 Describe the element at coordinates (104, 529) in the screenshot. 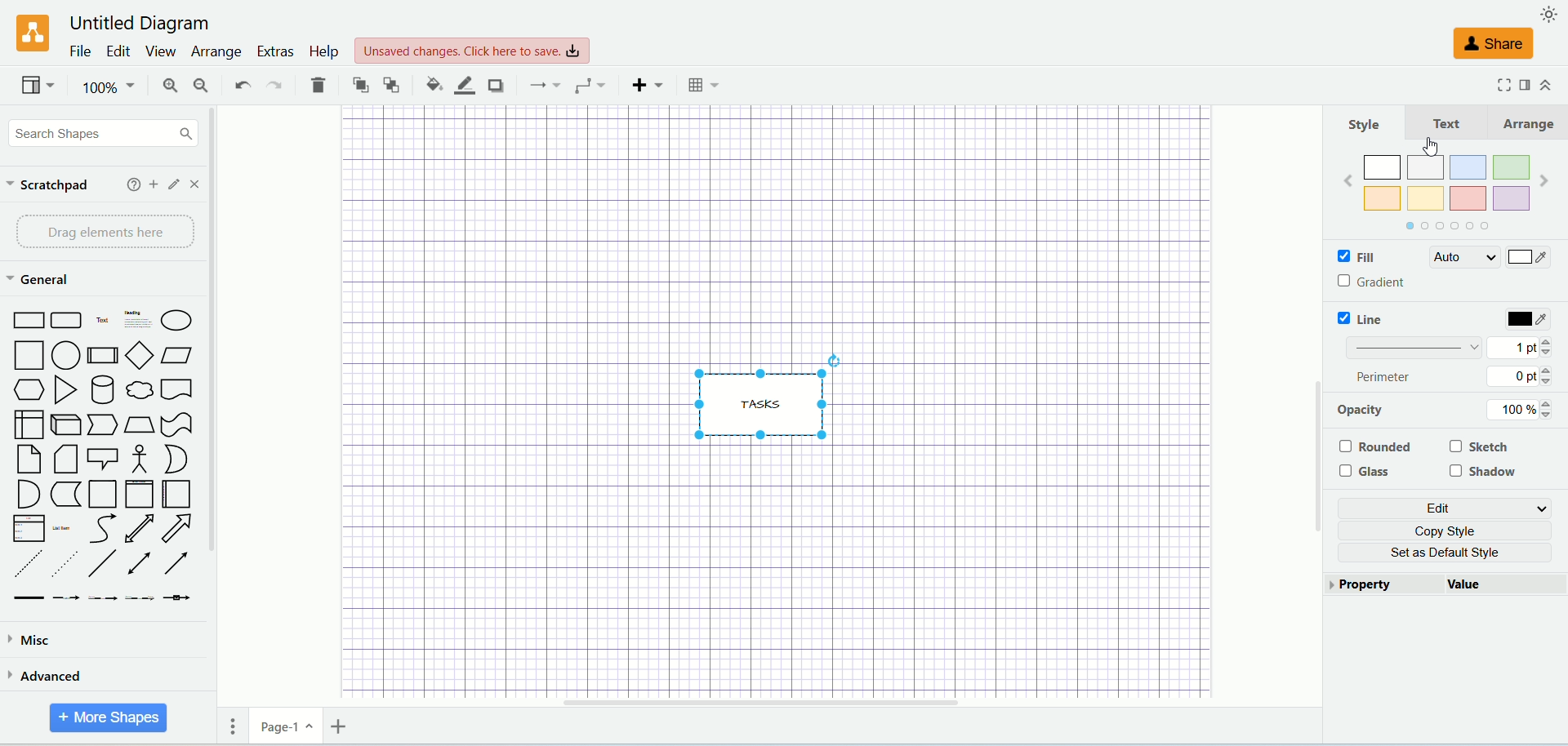

I see `Curve` at that location.